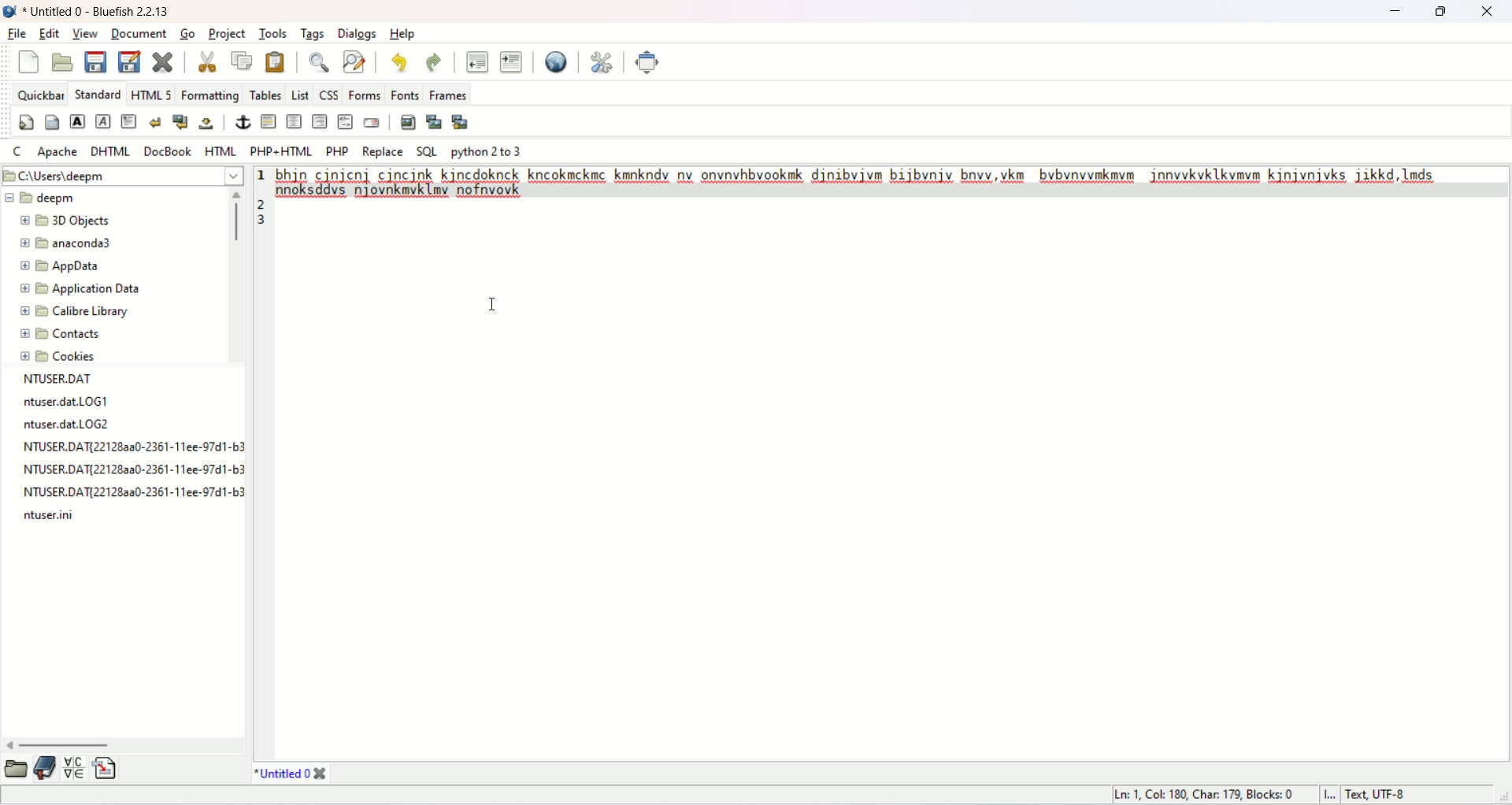 Image resolution: width=1512 pixels, height=805 pixels. What do you see at coordinates (405, 95) in the screenshot?
I see `fonts` at bounding box center [405, 95].